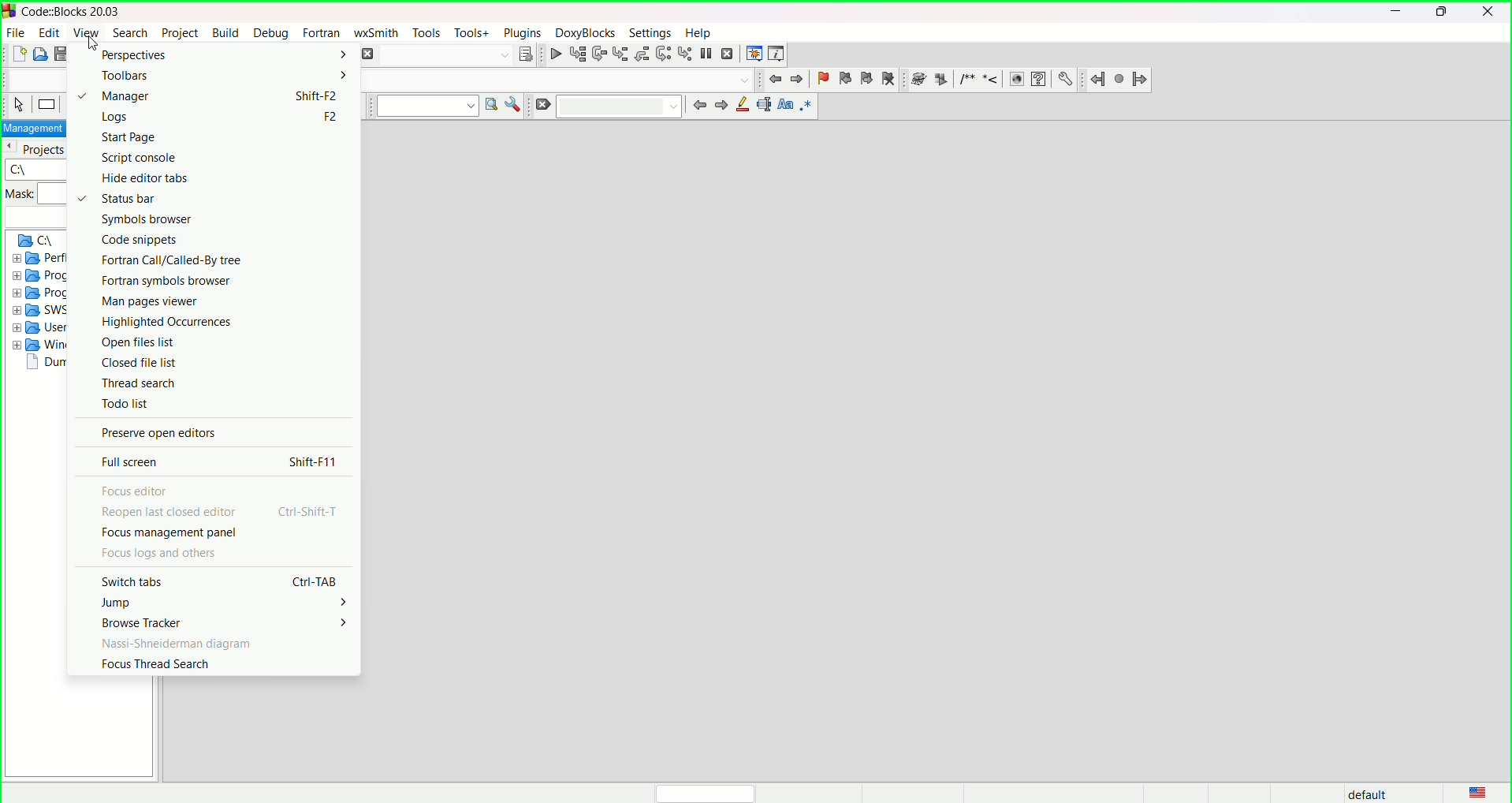 This screenshot has height=803, width=1512. I want to click on thread search, so click(138, 383).